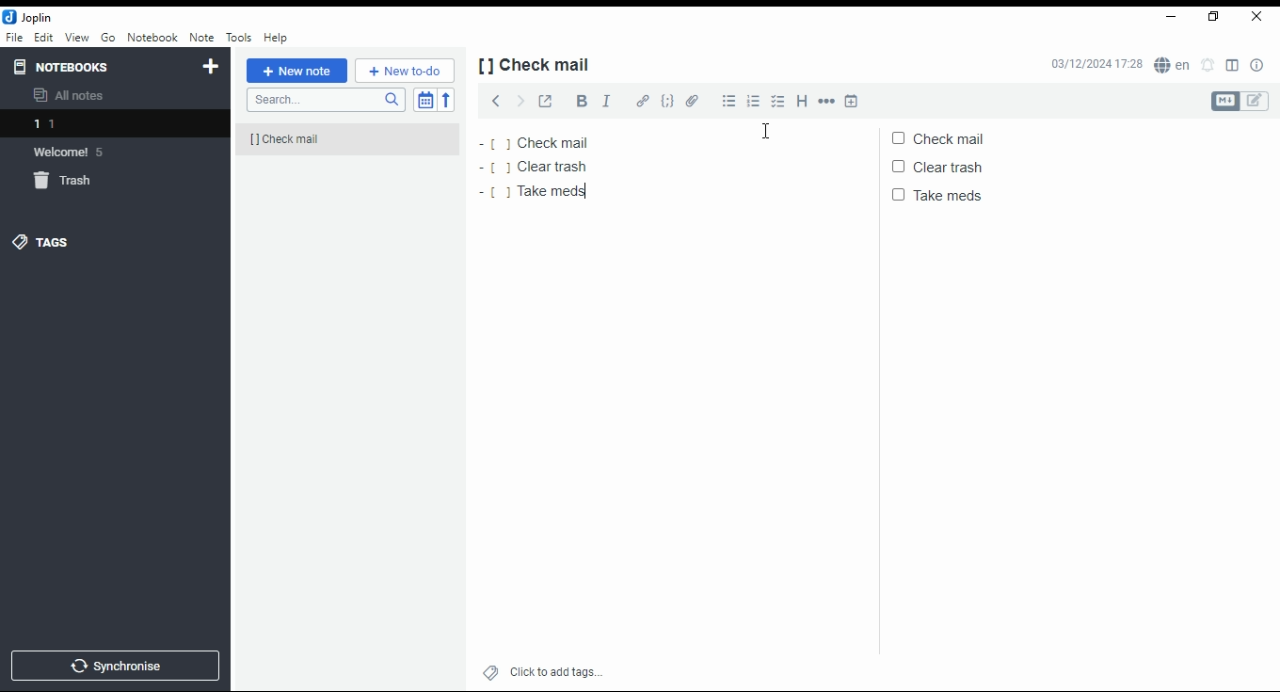 Image resolution: width=1280 pixels, height=692 pixels. I want to click on take meds, so click(940, 194).